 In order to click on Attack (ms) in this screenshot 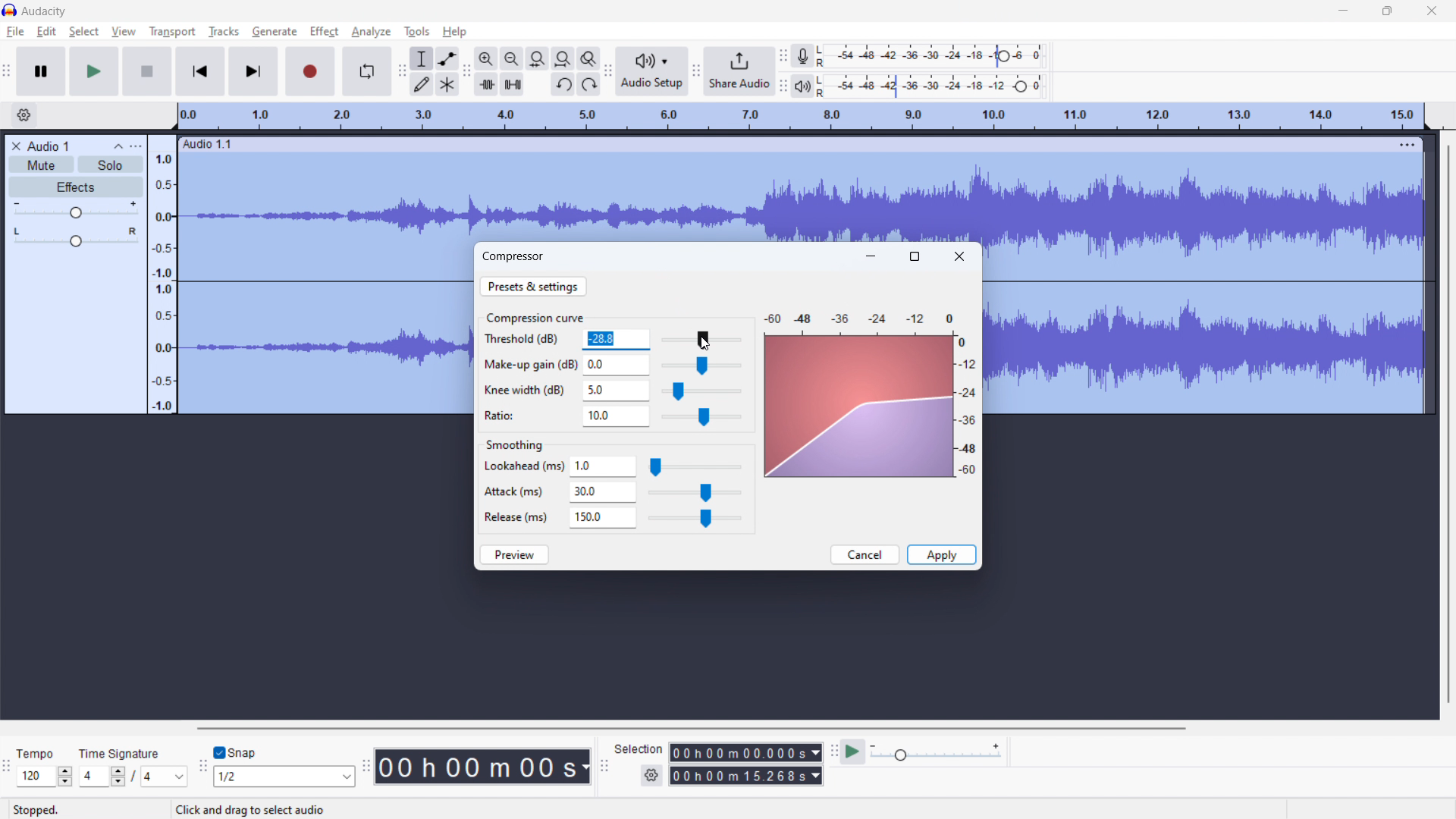, I will do `click(517, 488)`.